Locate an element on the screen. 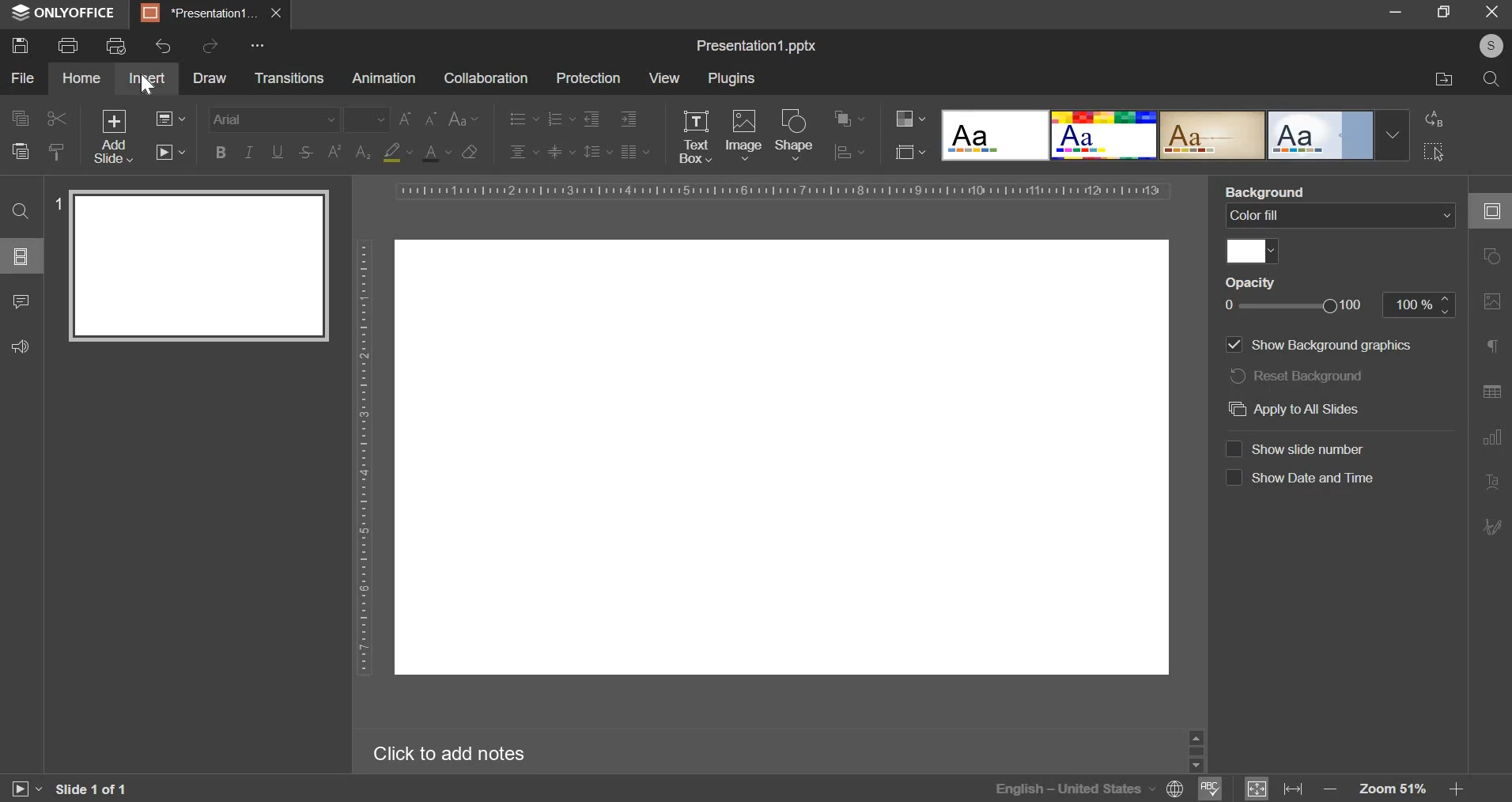 The image size is (1512, 802). presentation name is located at coordinates (757, 46).